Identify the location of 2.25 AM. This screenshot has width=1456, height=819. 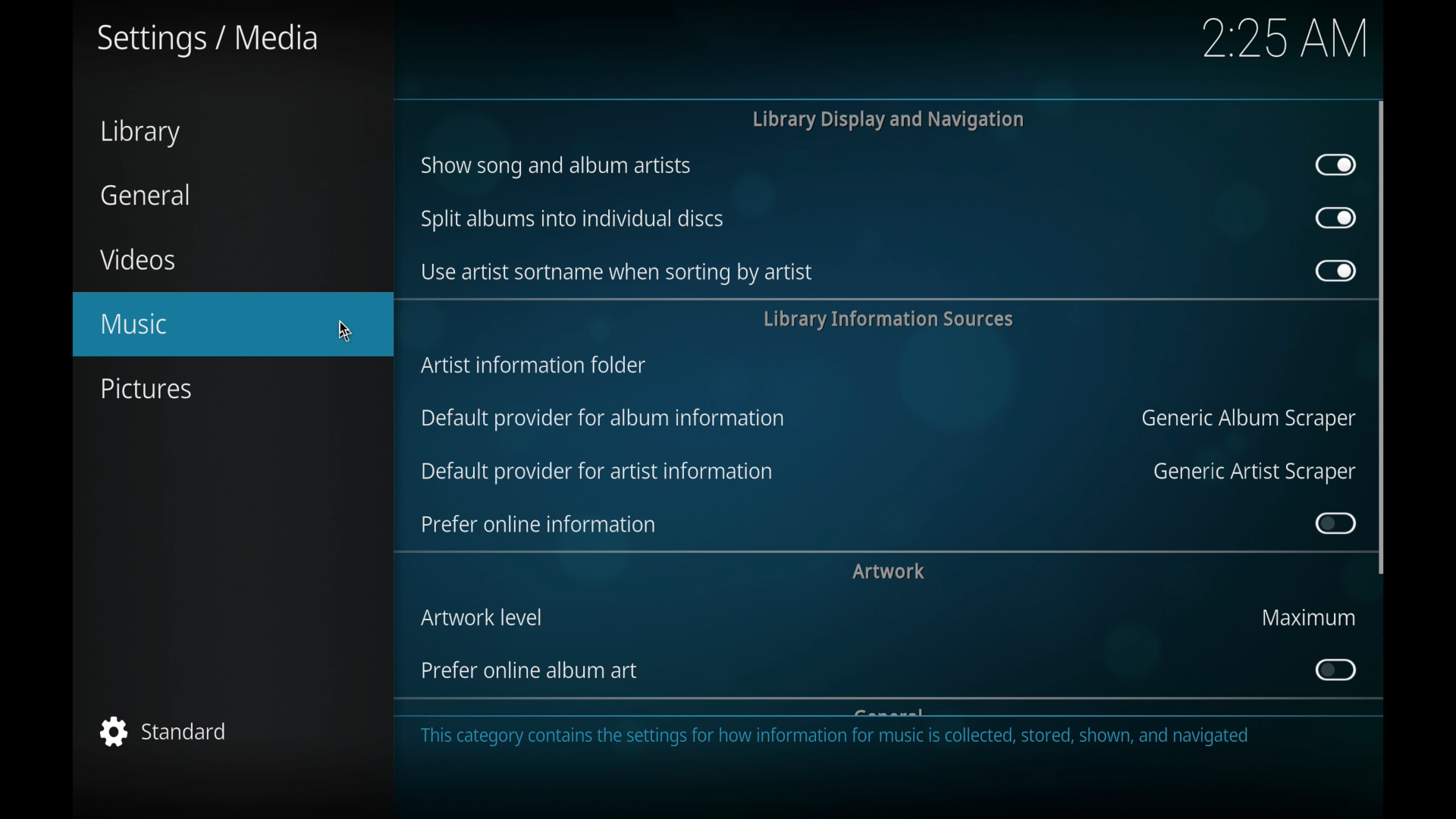
(1288, 42).